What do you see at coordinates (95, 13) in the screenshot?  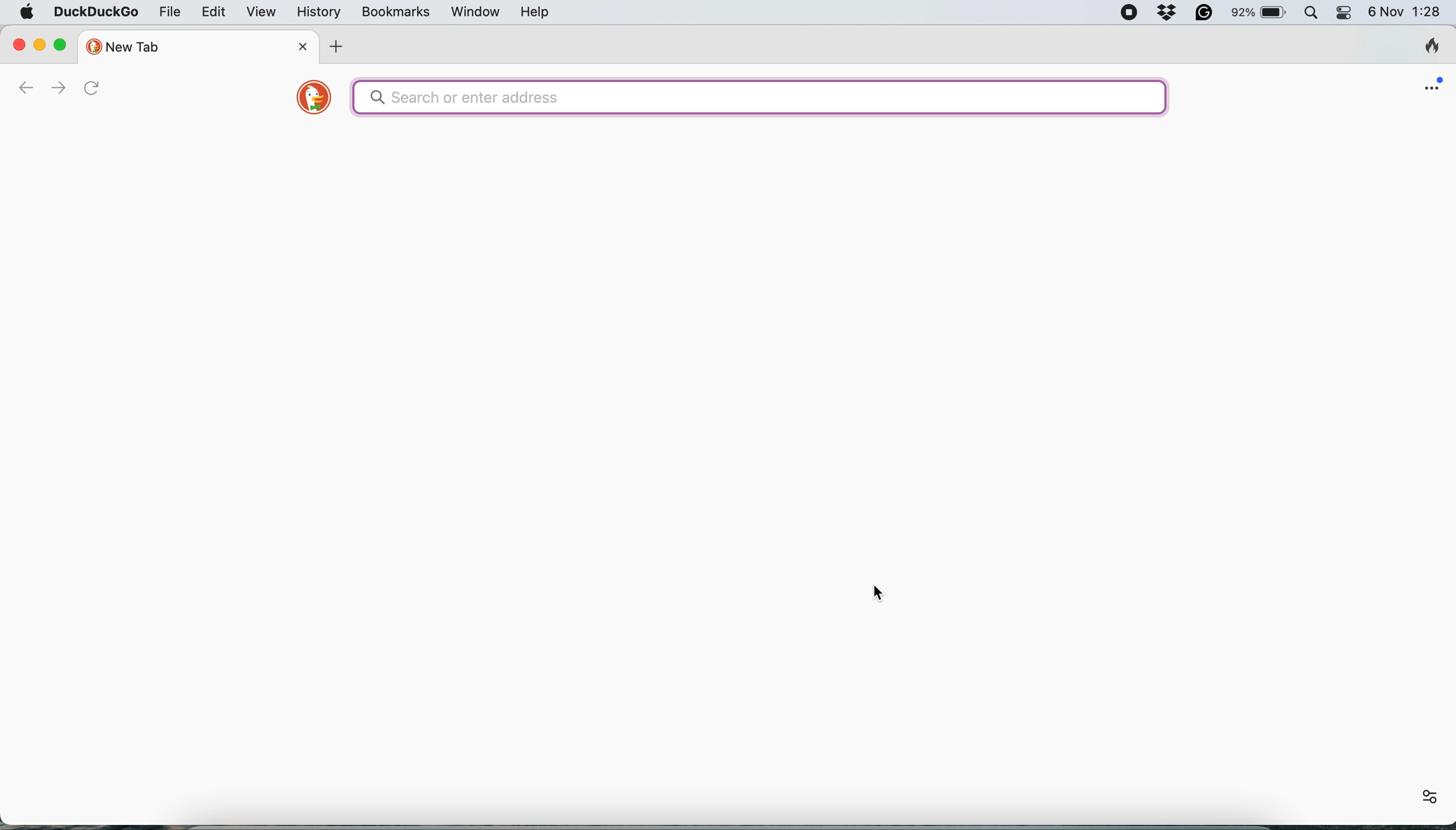 I see `duckduckgo` at bounding box center [95, 13].